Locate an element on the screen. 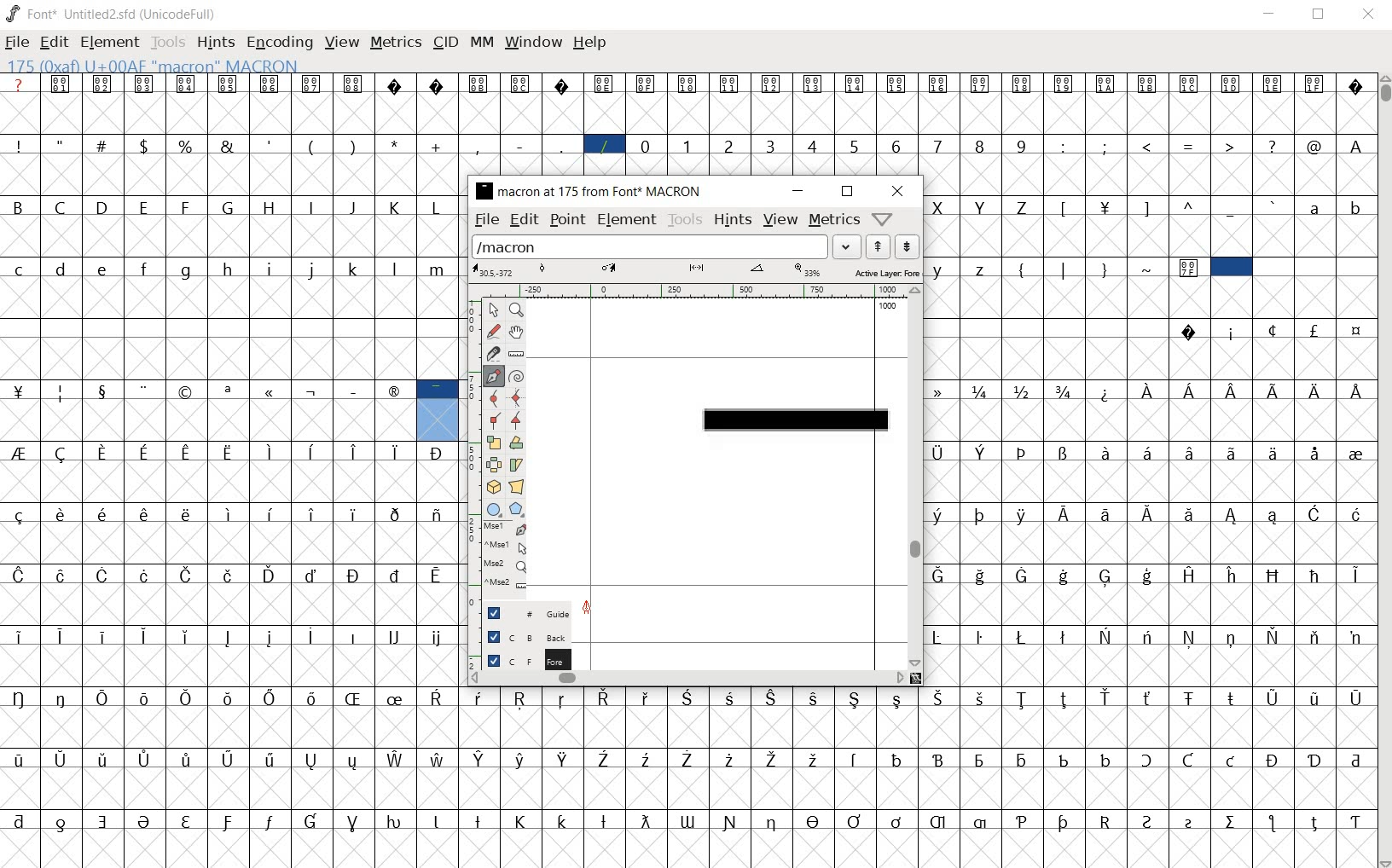 The height and width of the screenshot is (868, 1392). Symbol is located at coordinates (939, 637).